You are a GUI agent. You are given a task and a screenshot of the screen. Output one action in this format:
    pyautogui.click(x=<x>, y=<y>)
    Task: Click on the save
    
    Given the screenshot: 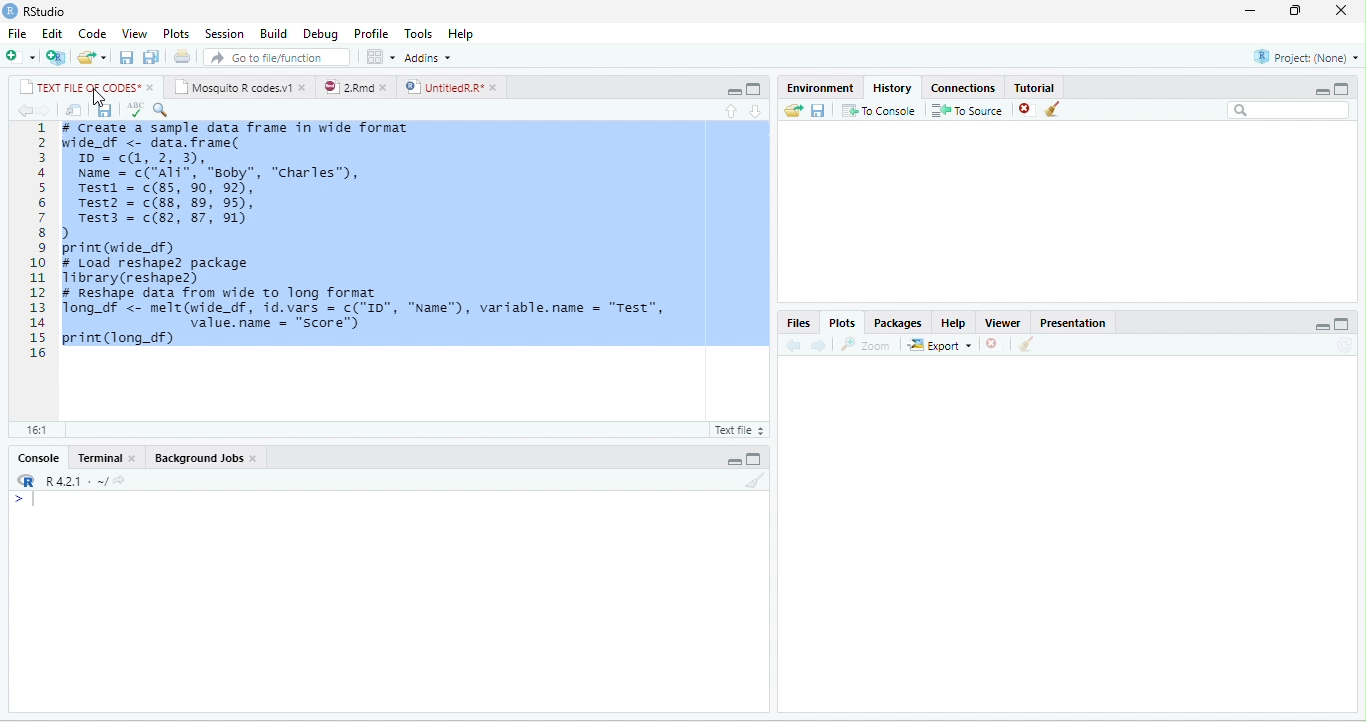 What is the action you would take?
    pyautogui.click(x=128, y=57)
    